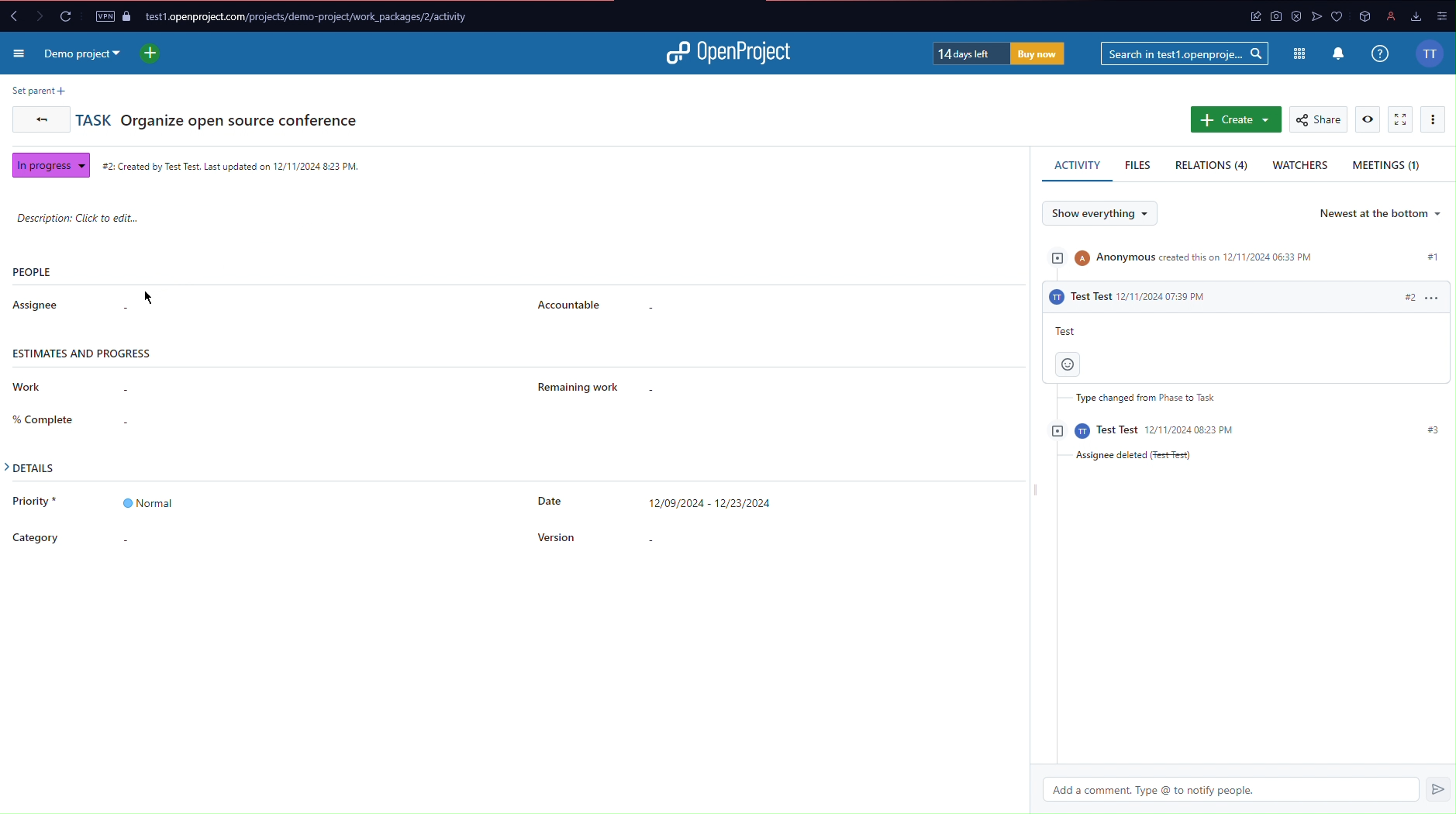  What do you see at coordinates (1127, 457) in the screenshot?
I see `Assignee Deleted` at bounding box center [1127, 457].